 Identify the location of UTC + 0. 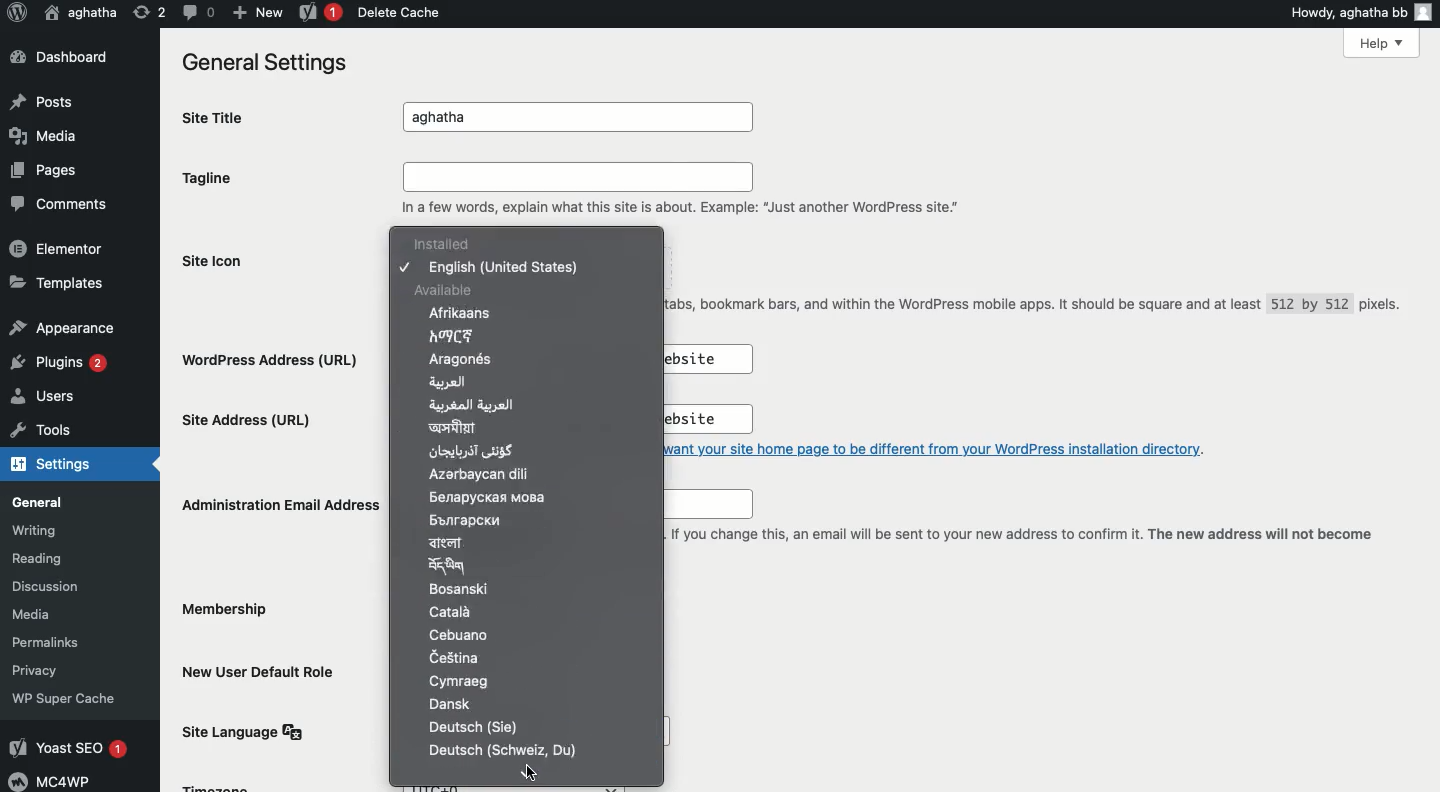
(522, 786).